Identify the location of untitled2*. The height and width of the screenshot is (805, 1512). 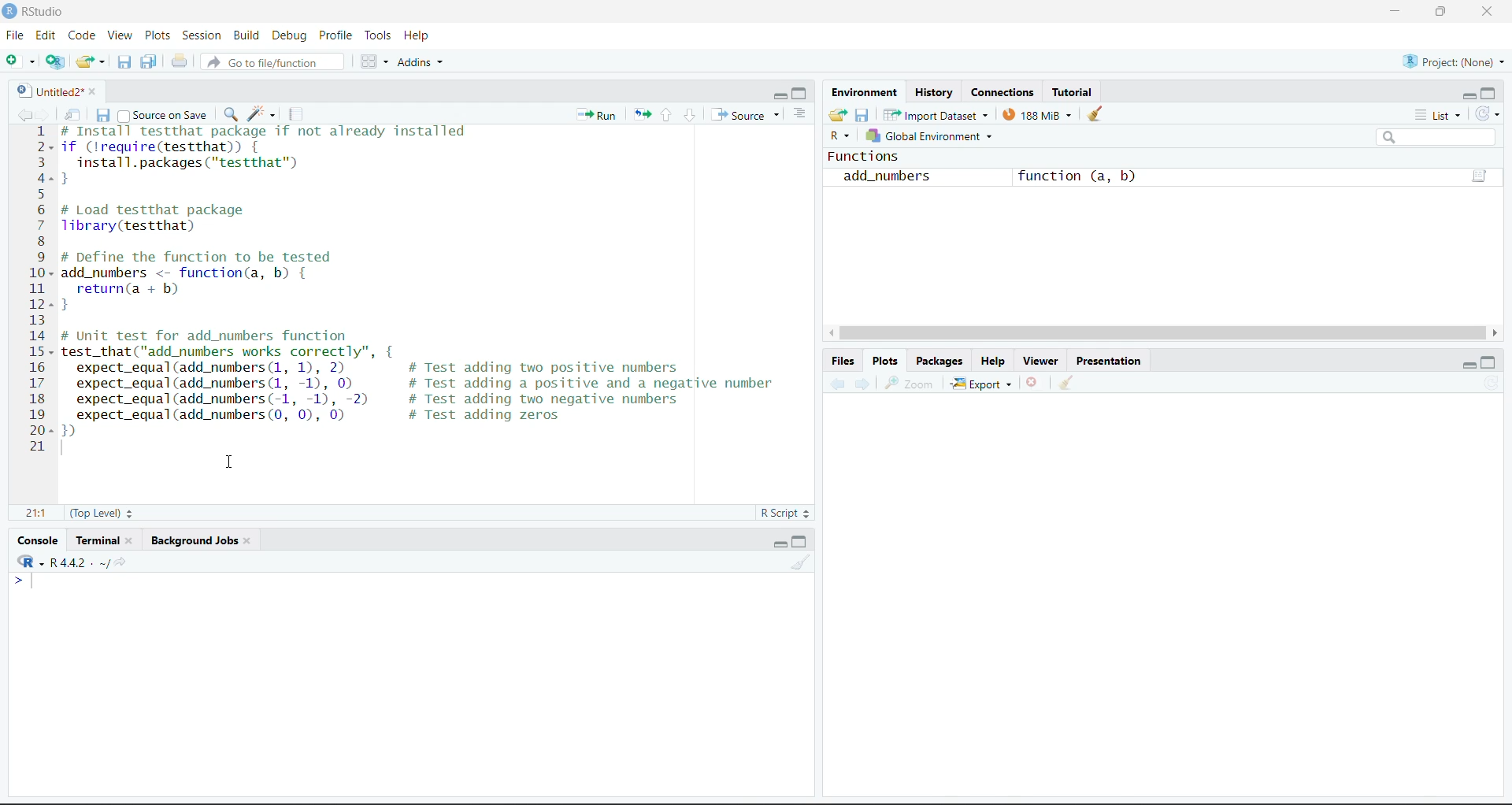
(47, 91).